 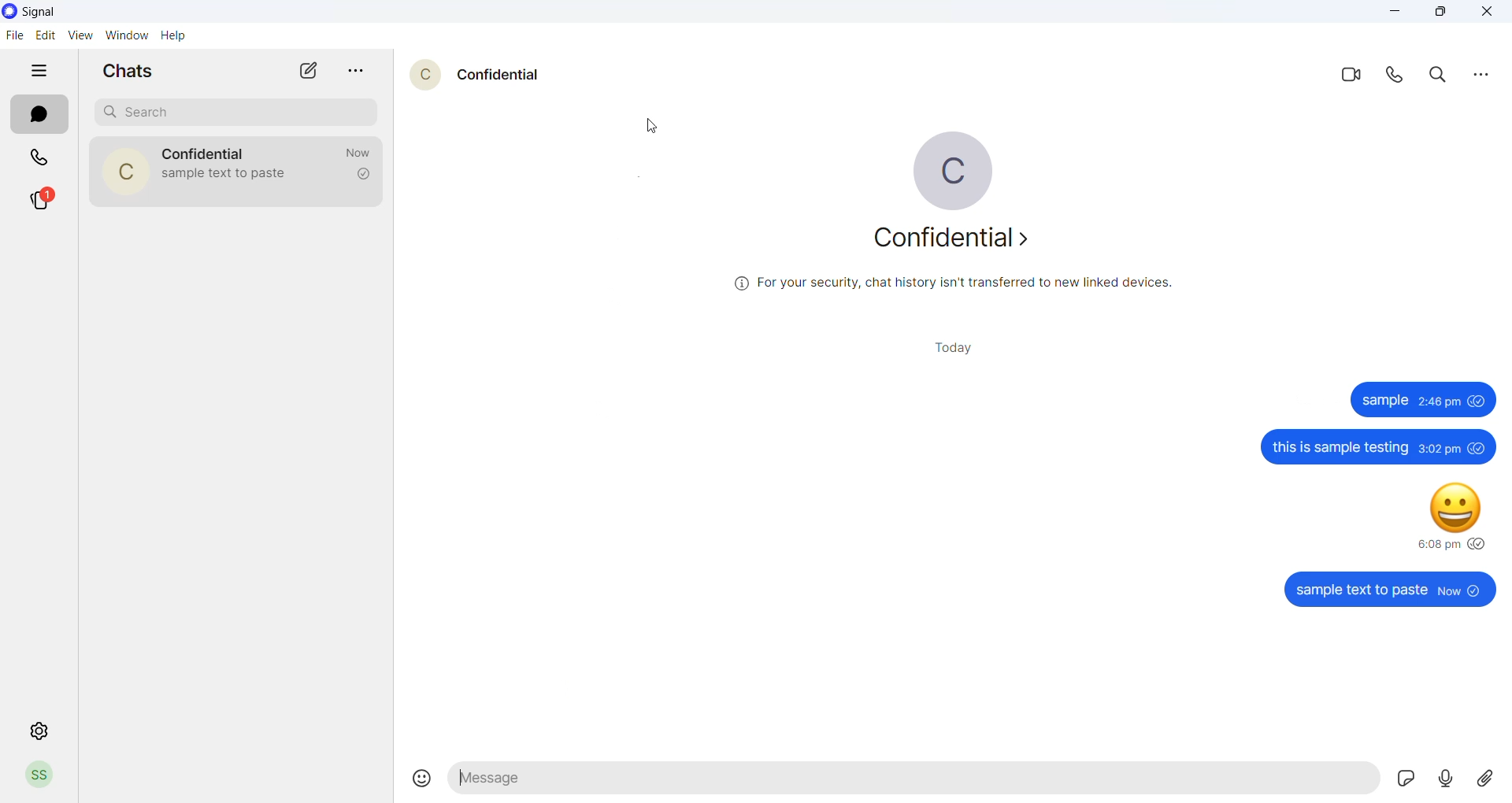 What do you see at coordinates (1357, 78) in the screenshot?
I see `video call` at bounding box center [1357, 78].